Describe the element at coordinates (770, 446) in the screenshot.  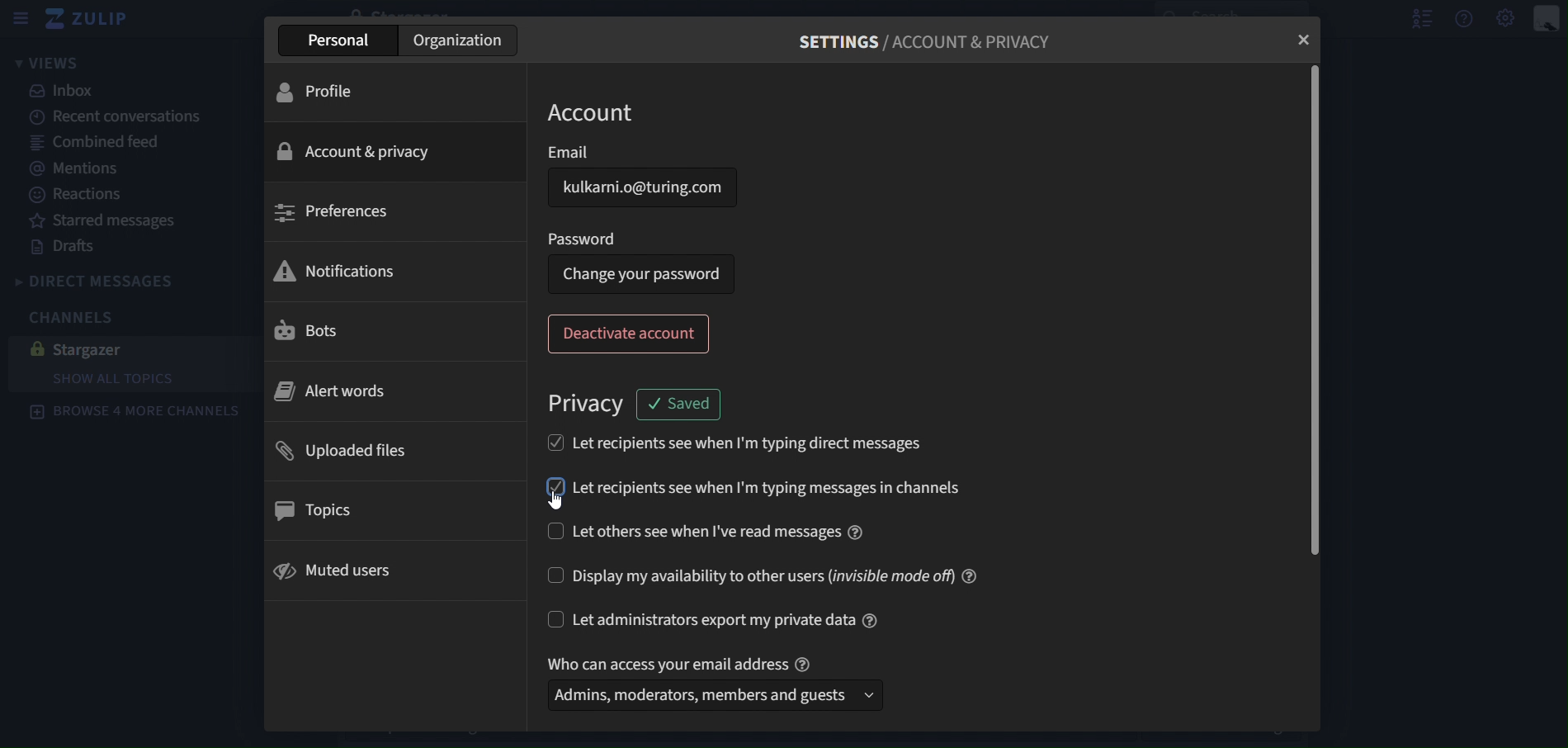
I see `let recipients see when Im typing direct messages` at that location.